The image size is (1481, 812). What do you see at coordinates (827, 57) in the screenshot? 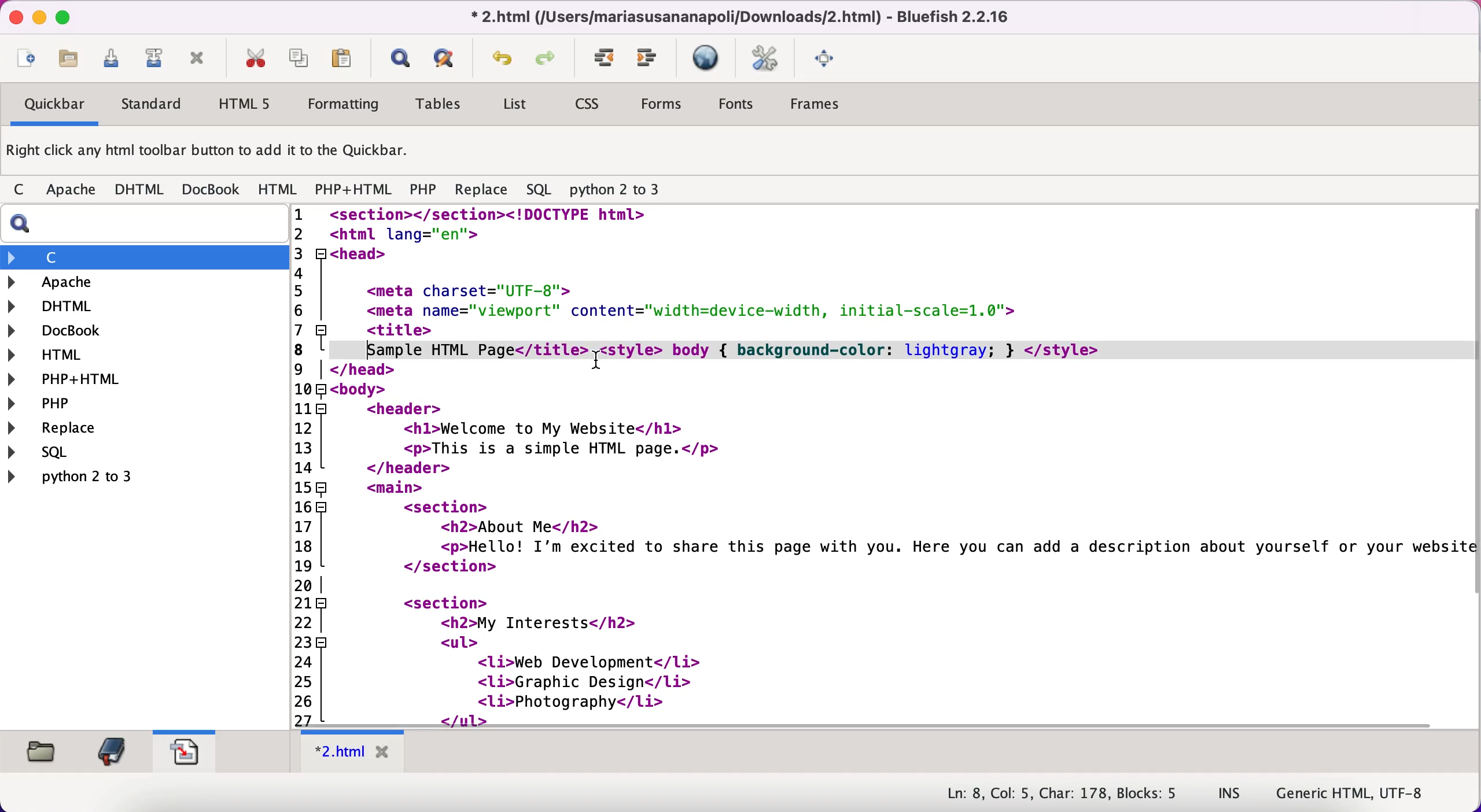
I see `full screen` at bounding box center [827, 57].